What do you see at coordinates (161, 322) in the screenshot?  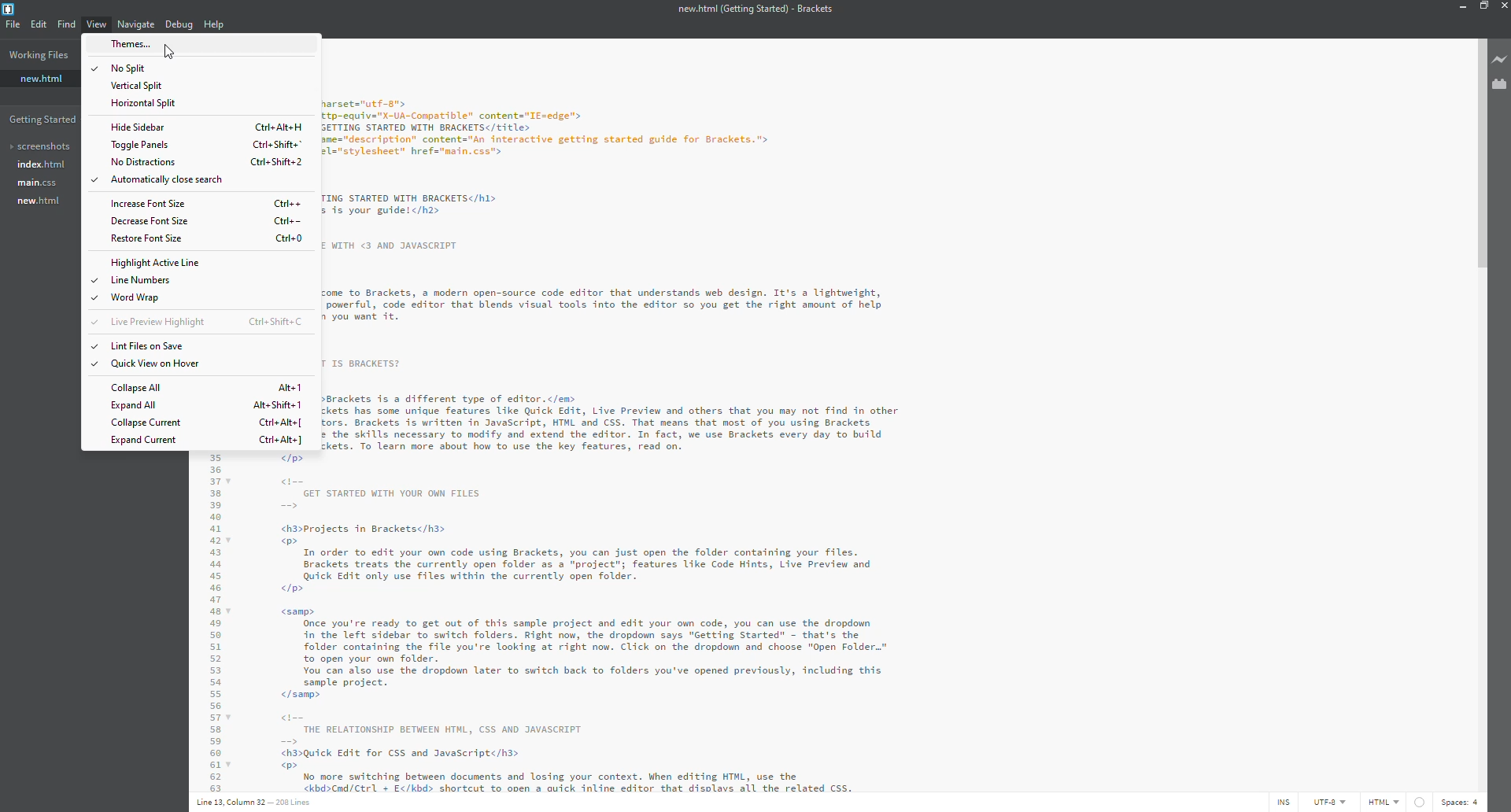 I see `live preview` at bounding box center [161, 322].